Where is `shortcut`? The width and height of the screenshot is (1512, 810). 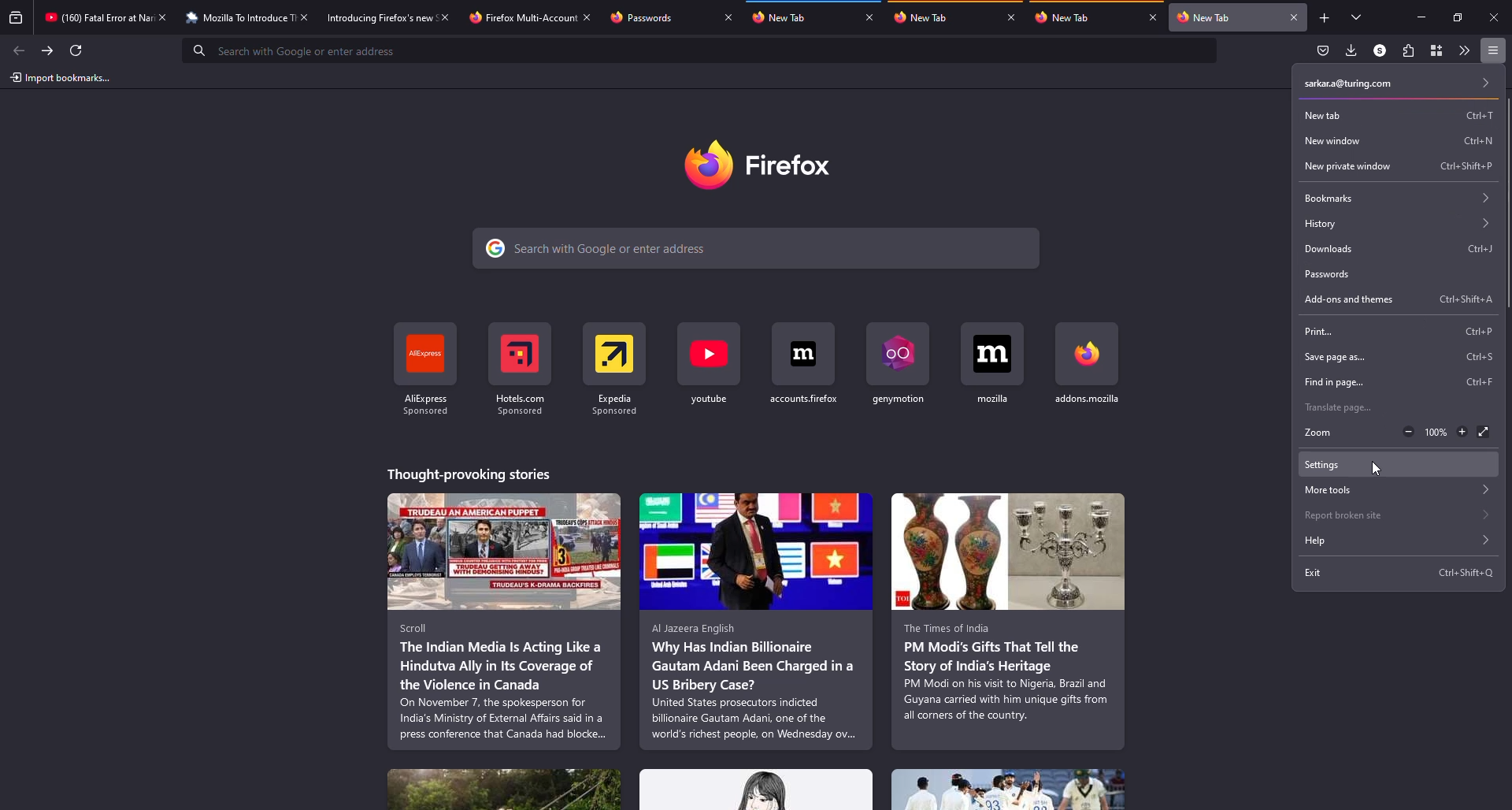
shortcut is located at coordinates (615, 370).